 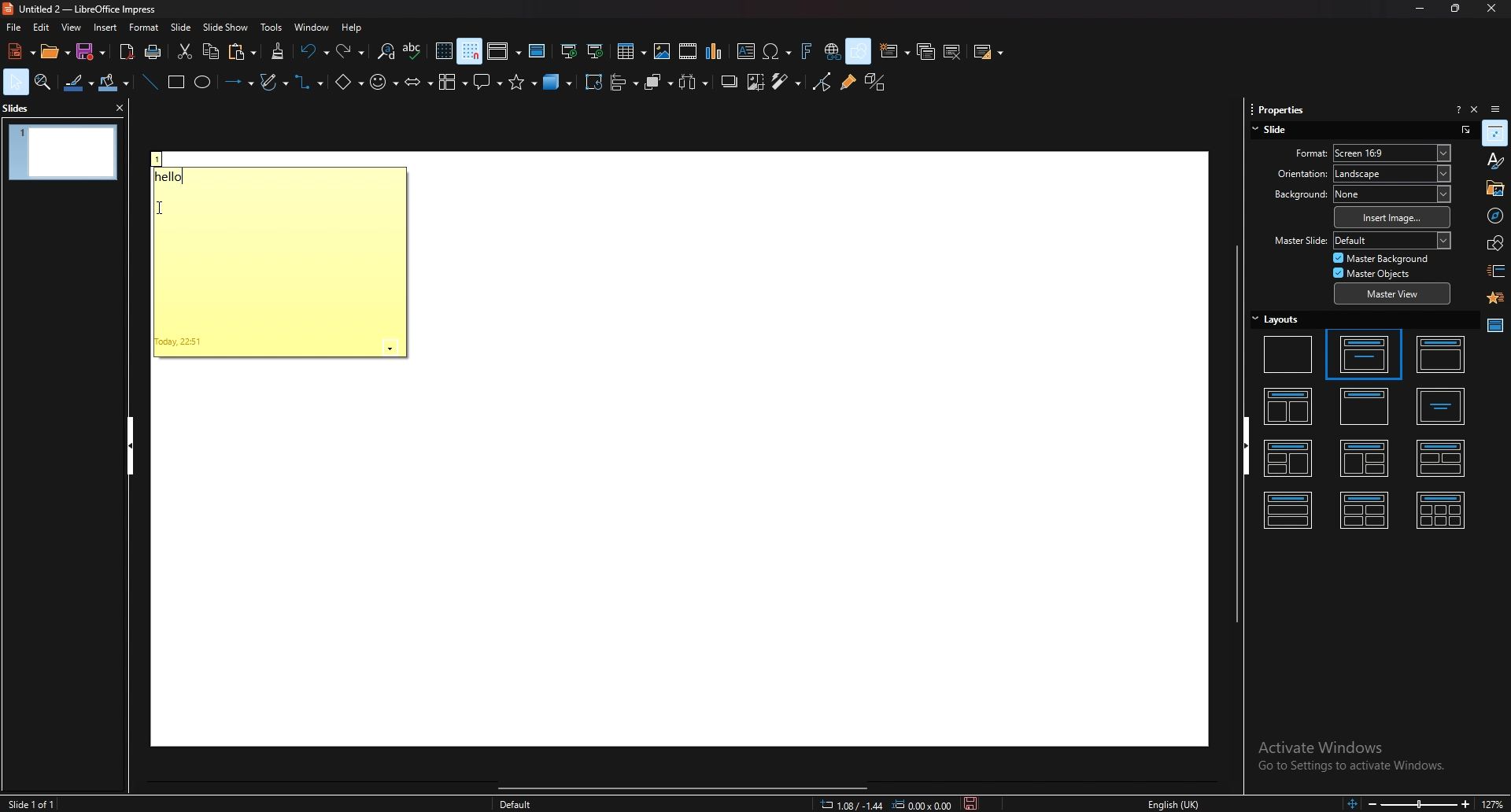 What do you see at coordinates (43, 83) in the screenshot?
I see `zoom and pan` at bounding box center [43, 83].